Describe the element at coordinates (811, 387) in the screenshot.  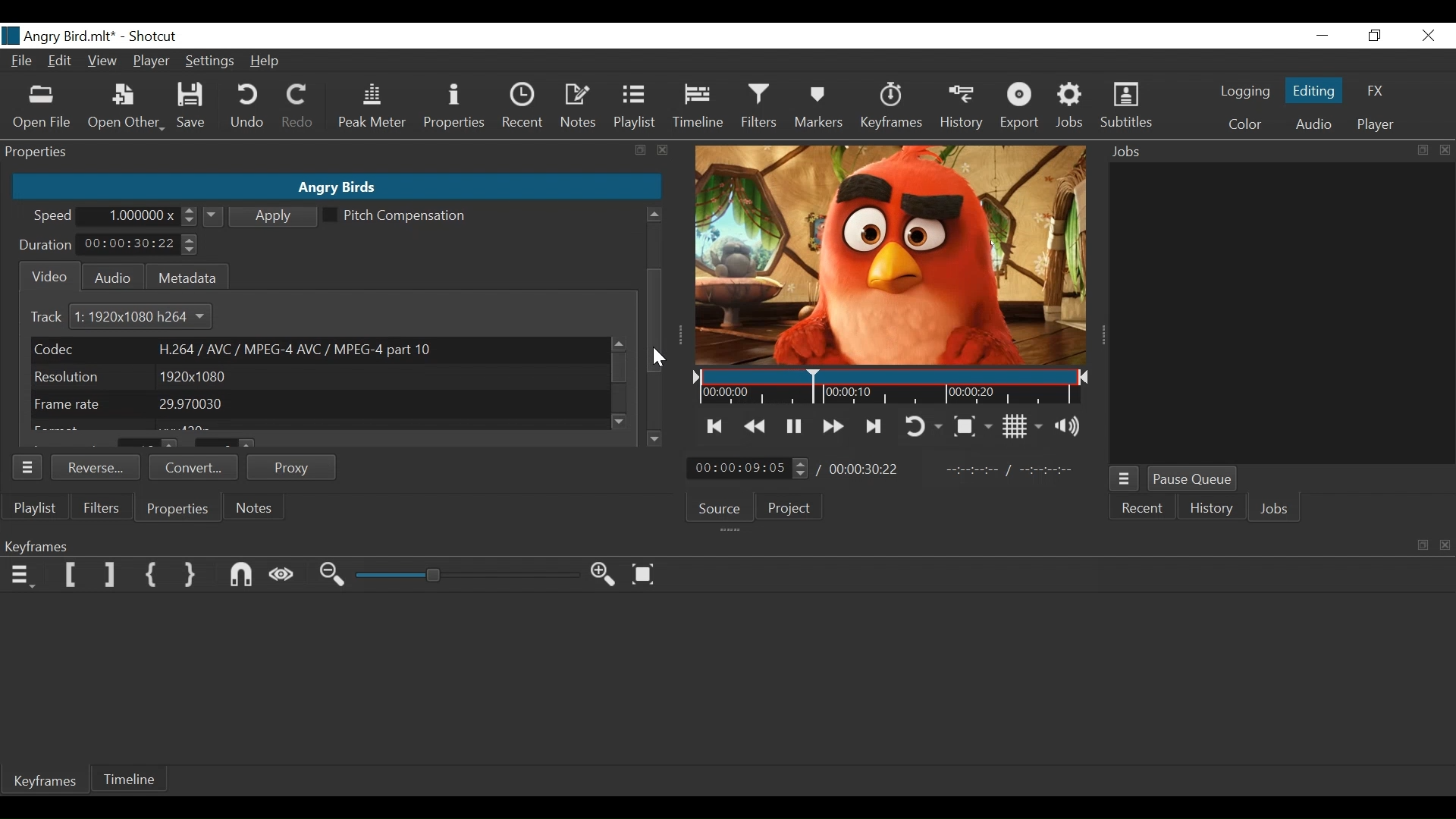
I see `Insertion cursor` at that location.